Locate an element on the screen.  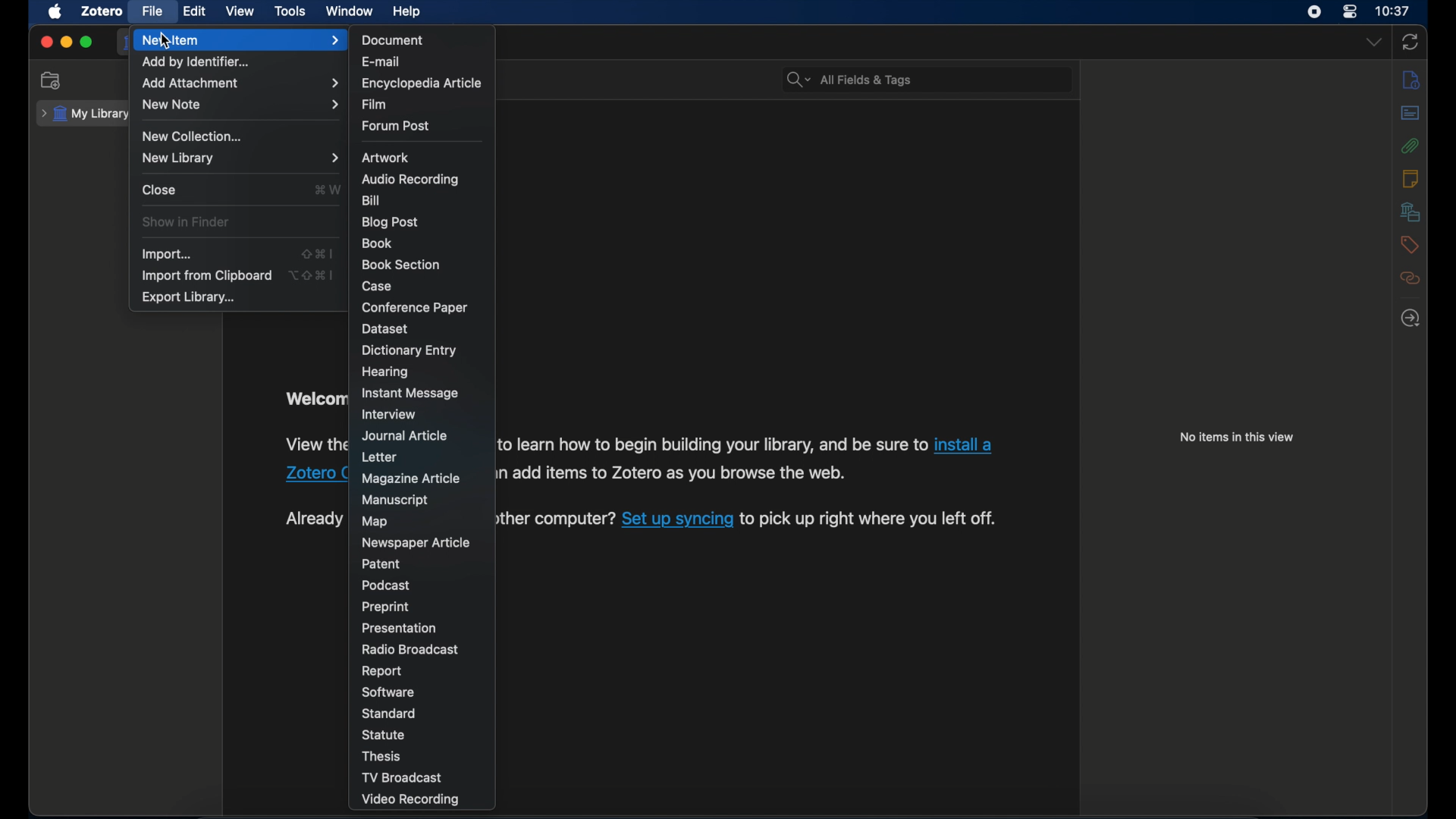
new item is located at coordinates (240, 40).